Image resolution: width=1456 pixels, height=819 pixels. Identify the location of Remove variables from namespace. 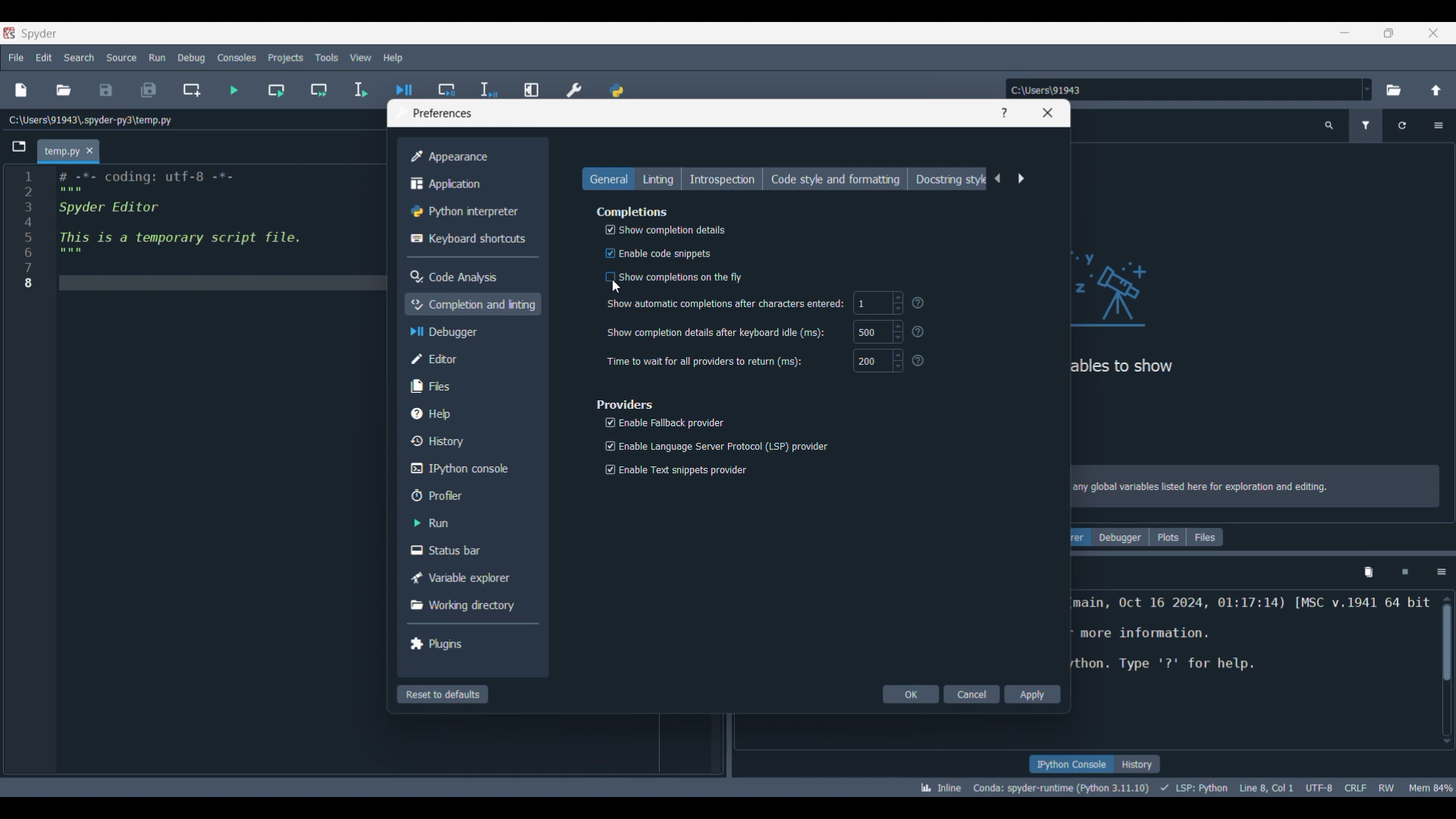
(1369, 573).